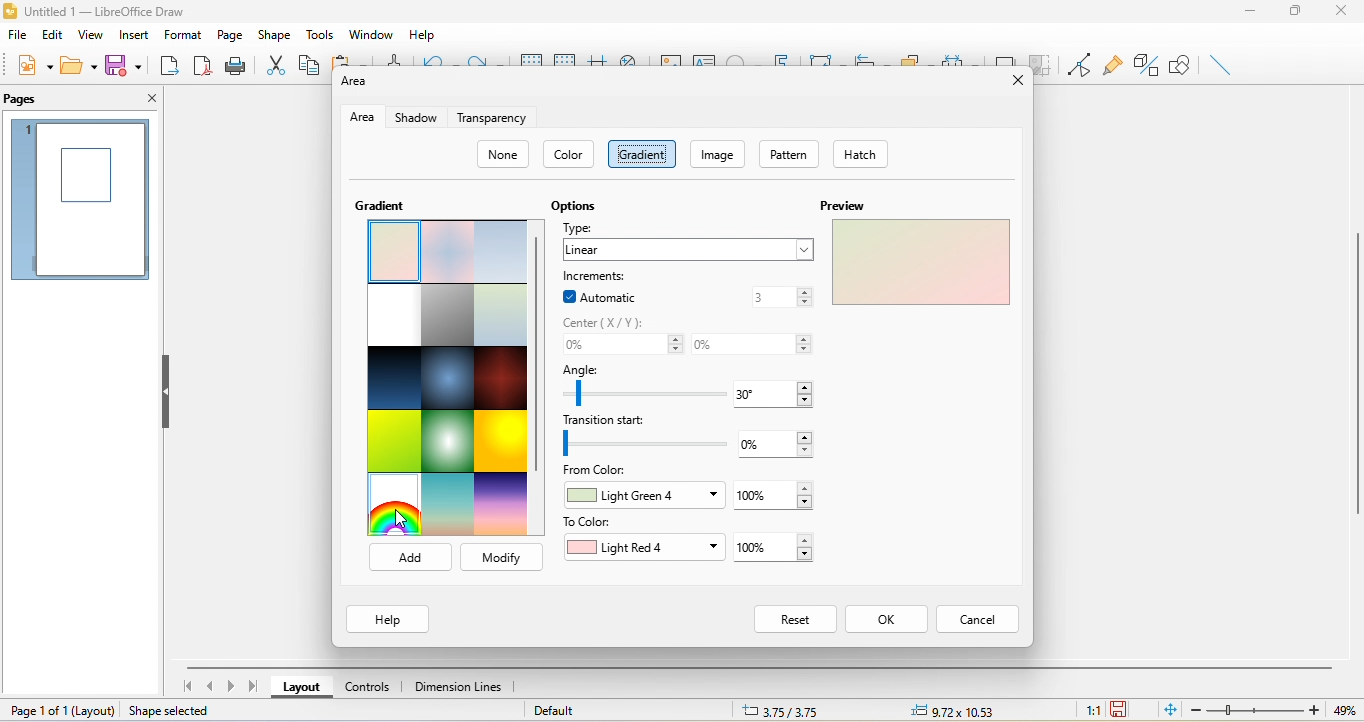 Image resolution: width=1364 pixels, height=722 pixels. I want to click on window, so click(370, 32).